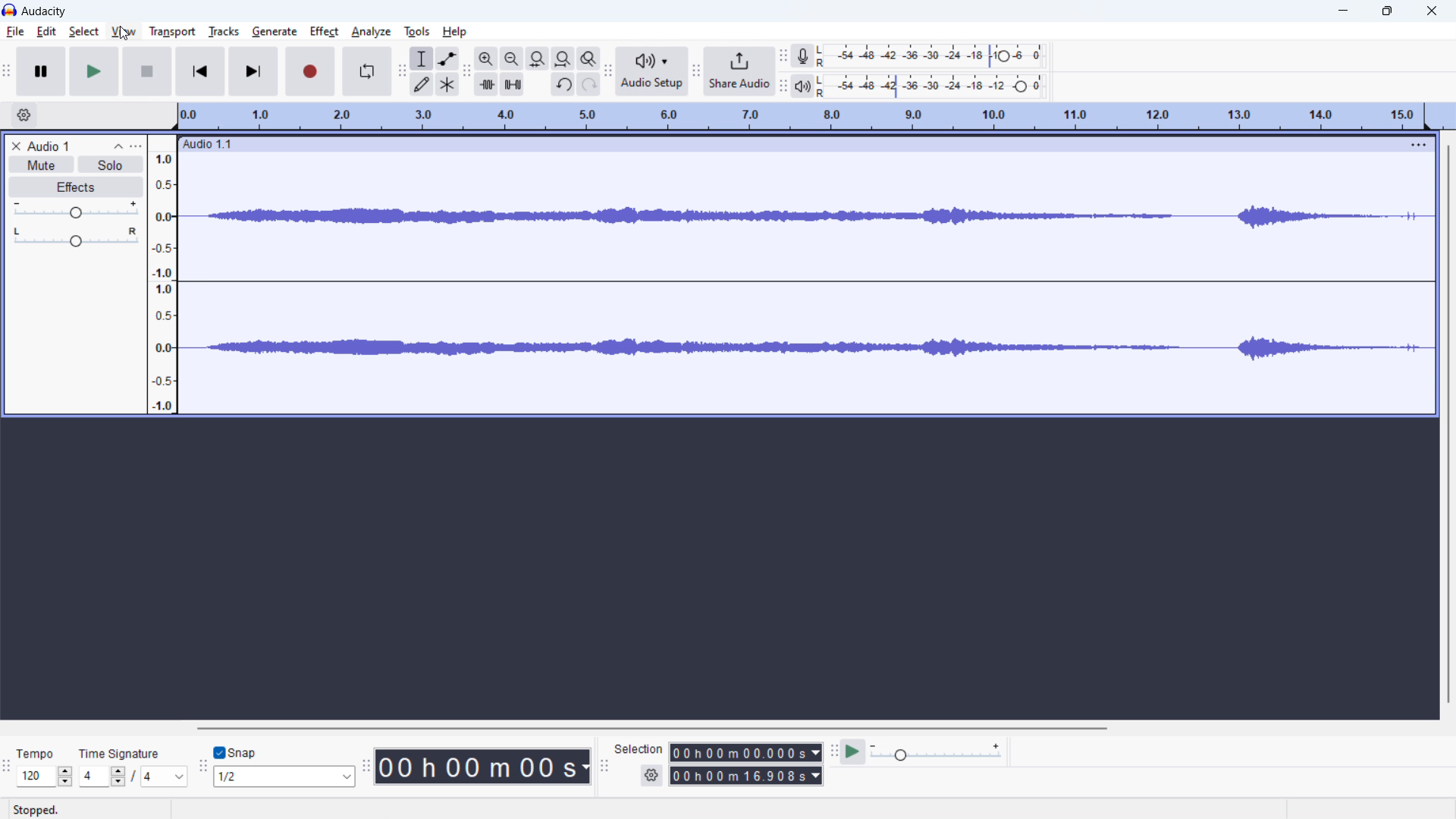  What do you see at coordinates (486, 58) in the screenshot?
I see `zoom in` at bounding box center [486, 58].